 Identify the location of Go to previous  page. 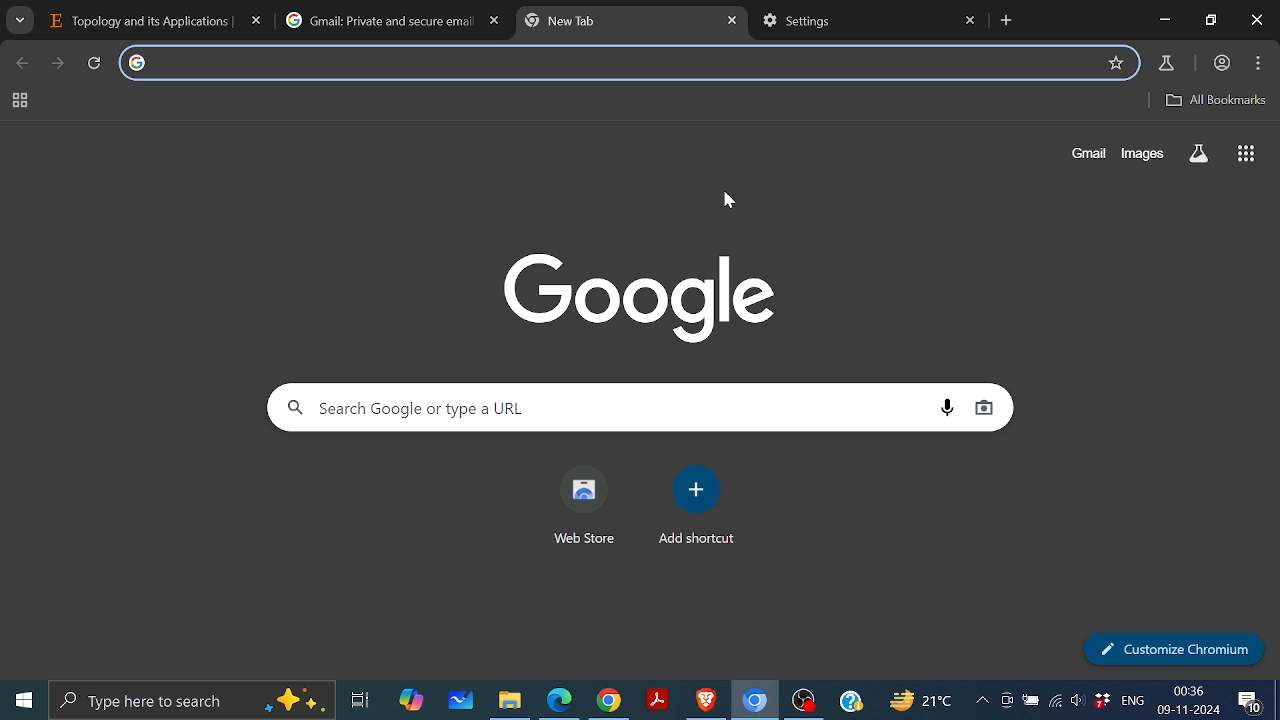
(19, 64).